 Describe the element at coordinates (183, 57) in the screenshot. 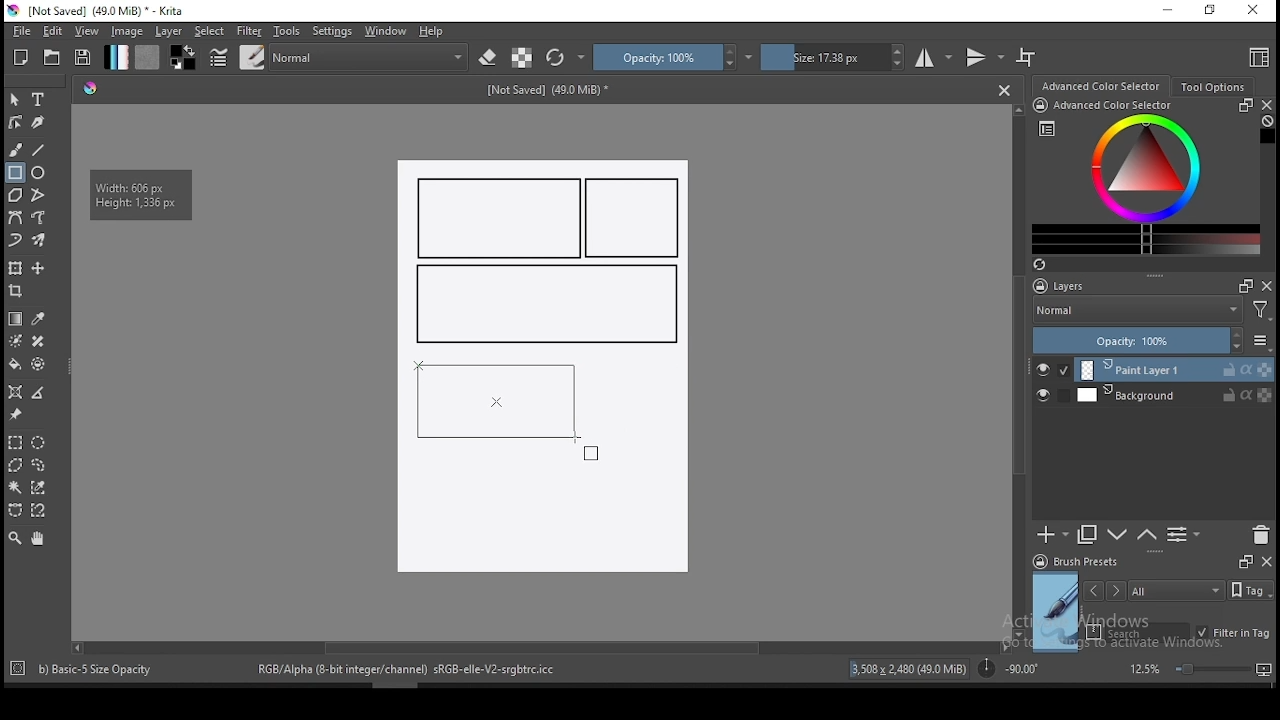

I see `colors` at that location.